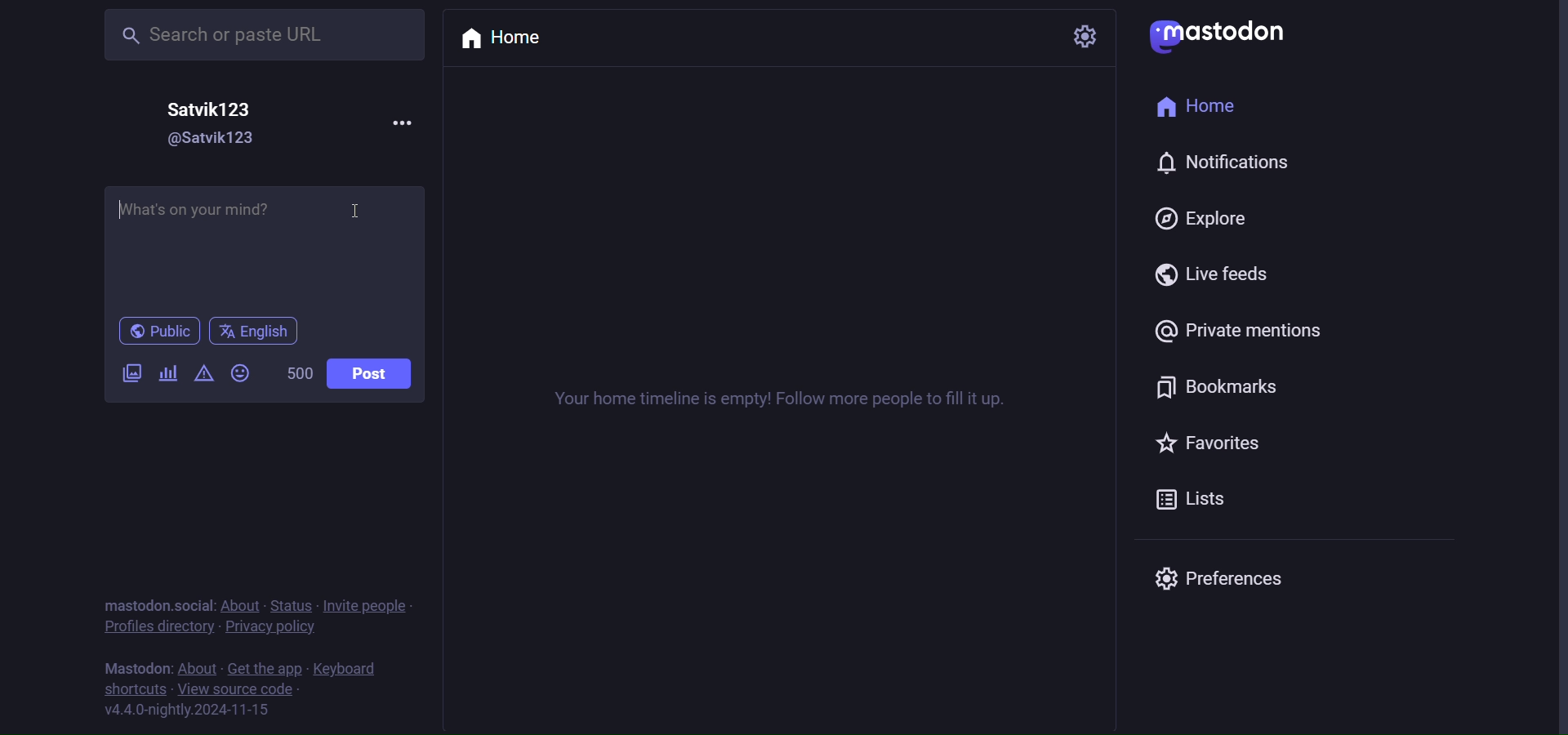 Image resolution: width=1568 pixels, height=735 pixels. What do you see at coordinates (127, 376) in the screenshot?
I see `add a image/video` at bounding box center [127, 376].